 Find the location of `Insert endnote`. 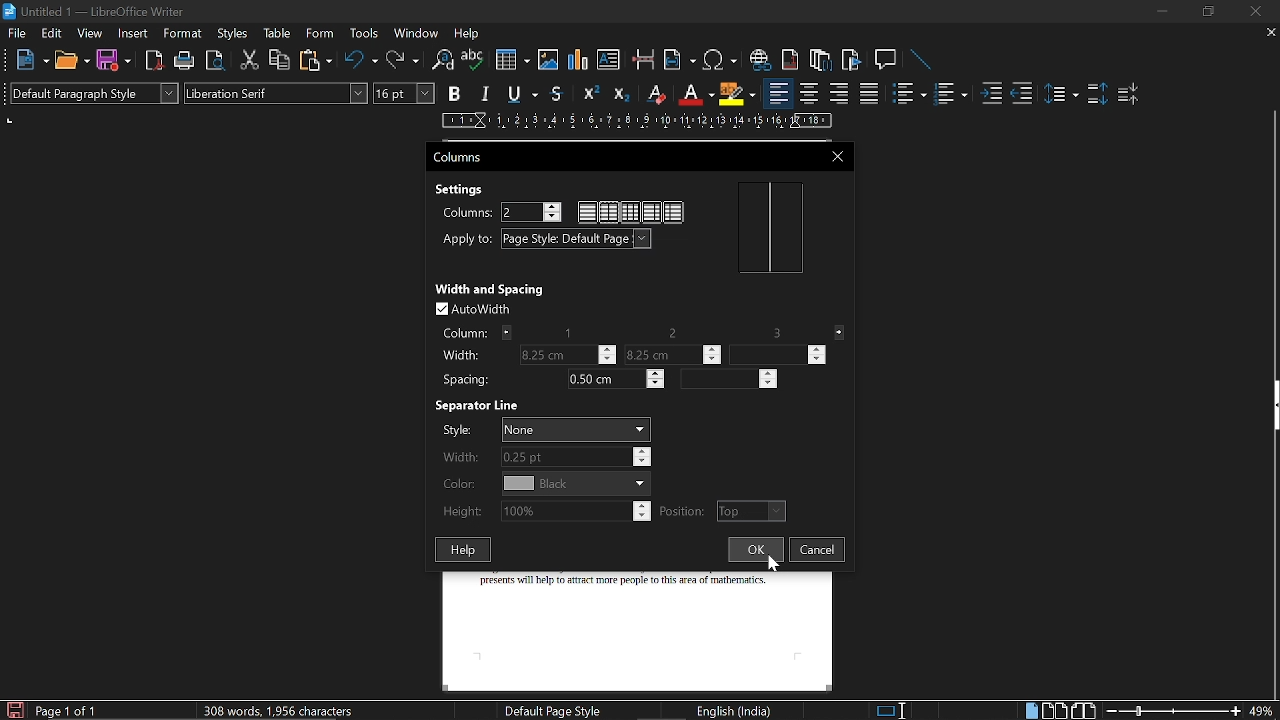

Insert endnote is located at coordinates (790, 59).